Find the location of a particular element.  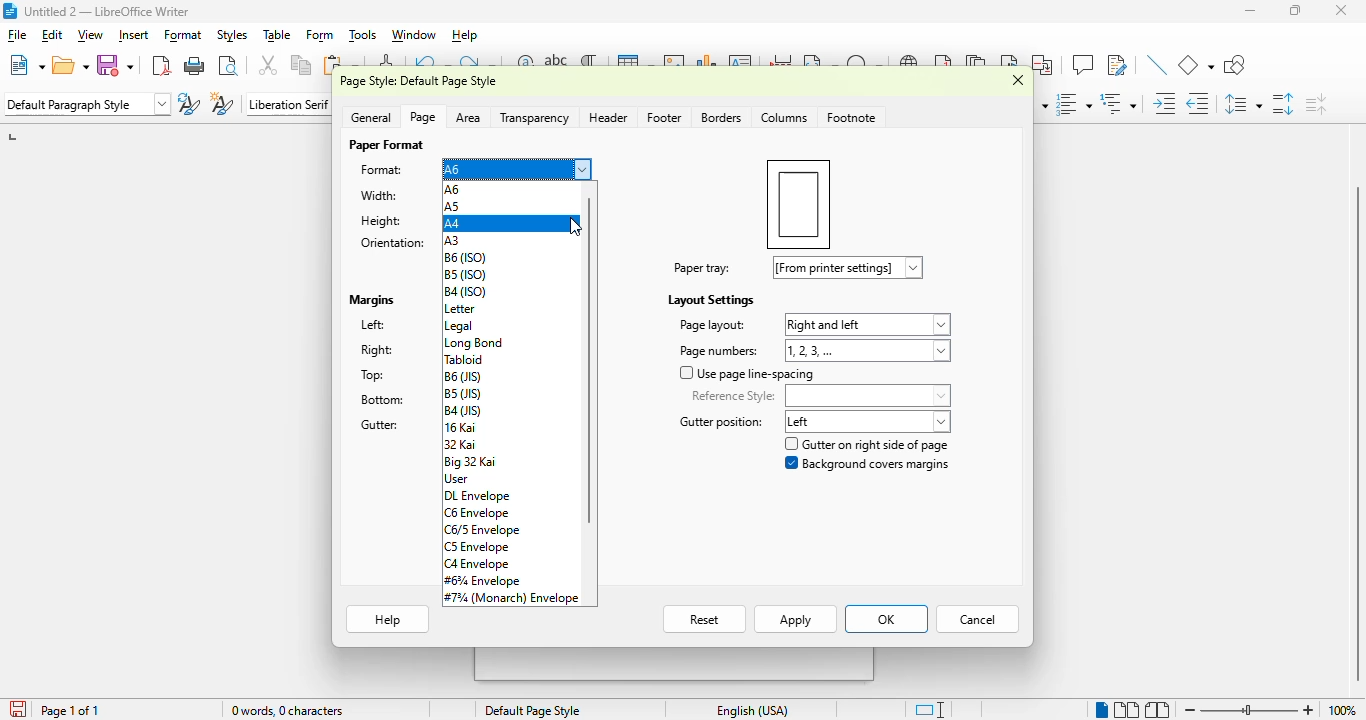

zoom slider is located at coordinates (1251, 709).